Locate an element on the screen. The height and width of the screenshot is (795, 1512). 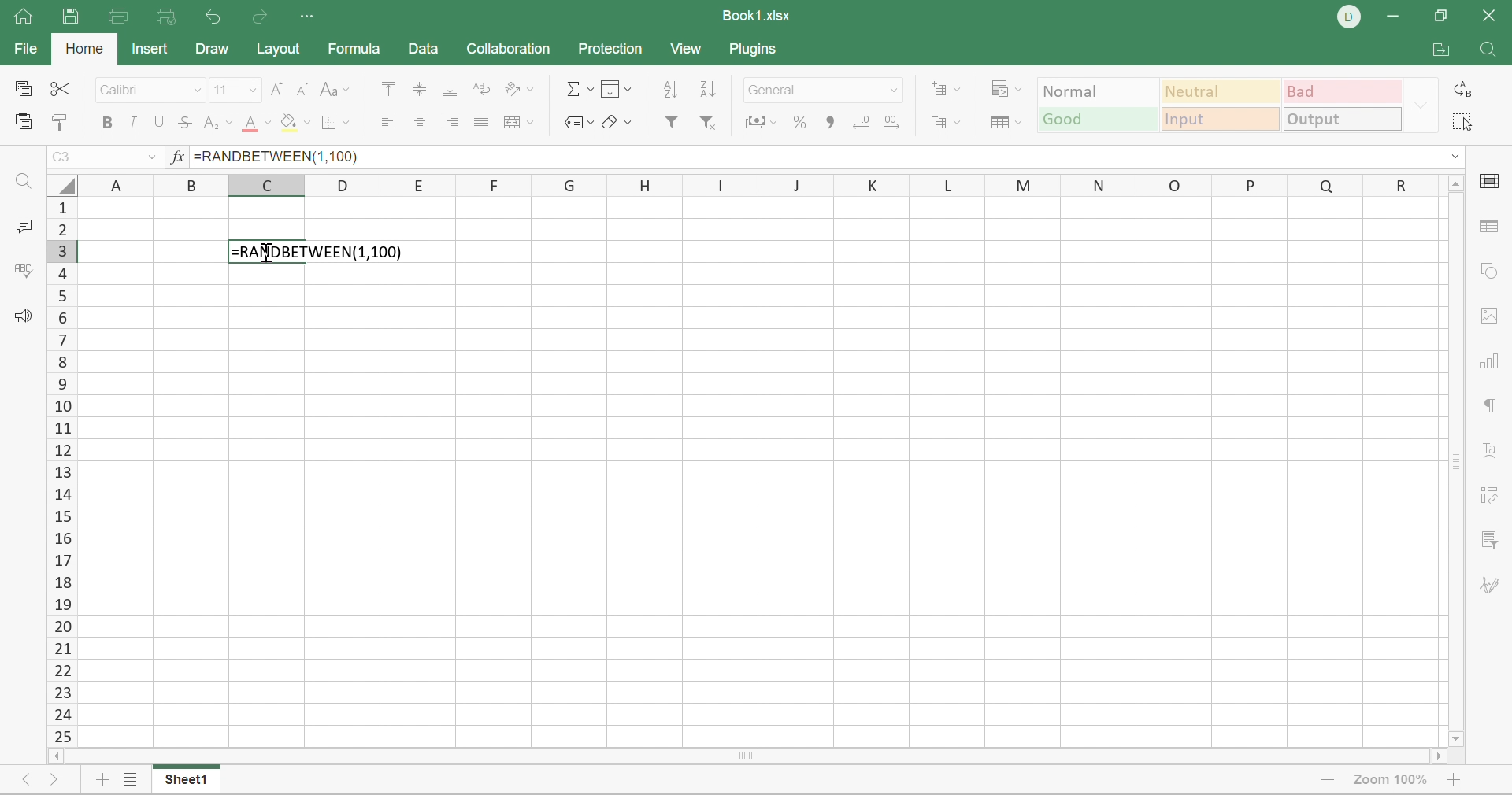
Draw is located at coordinates (214, 49).